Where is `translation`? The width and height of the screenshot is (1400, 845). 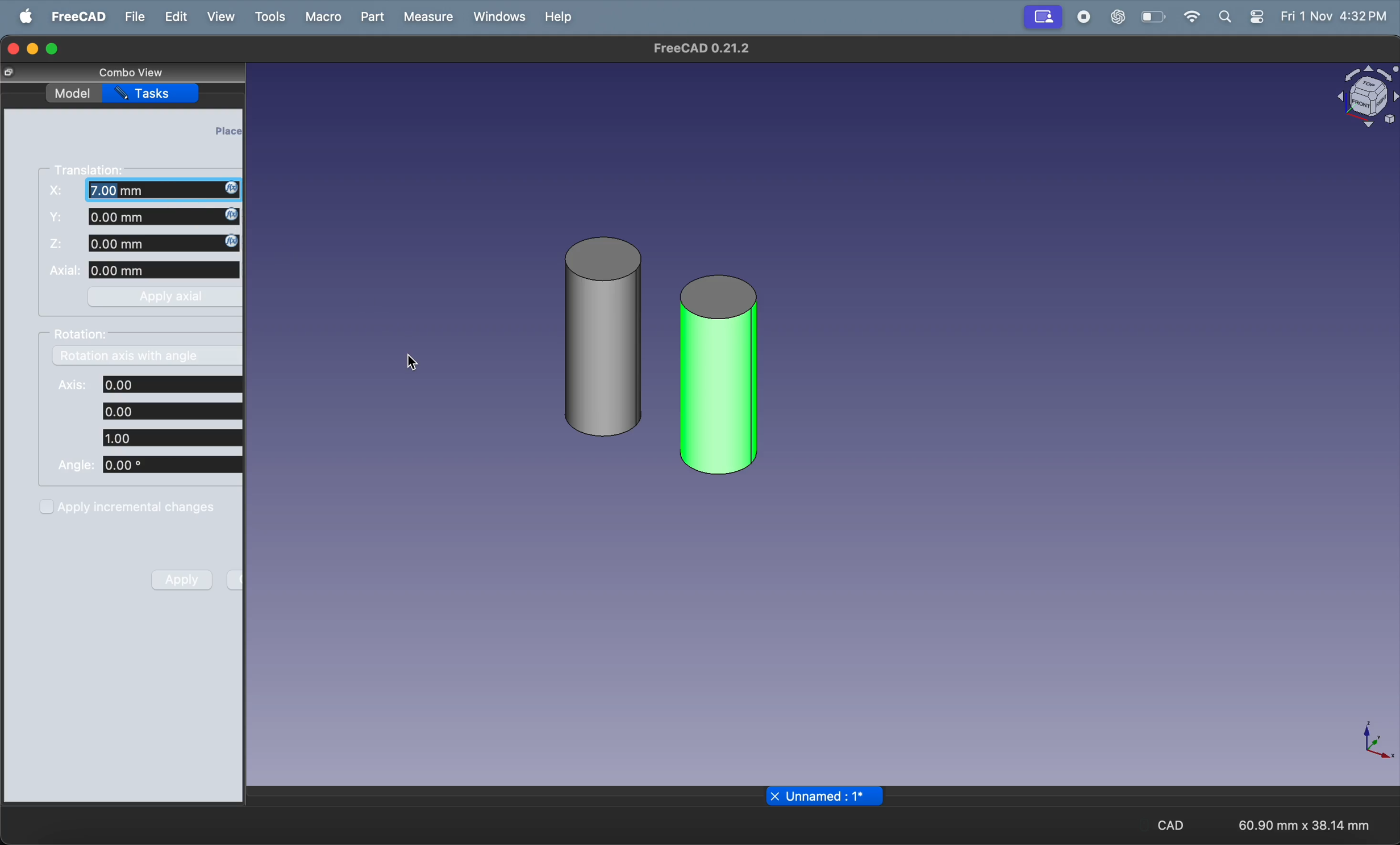
translation is located at coordinates (97, 169).